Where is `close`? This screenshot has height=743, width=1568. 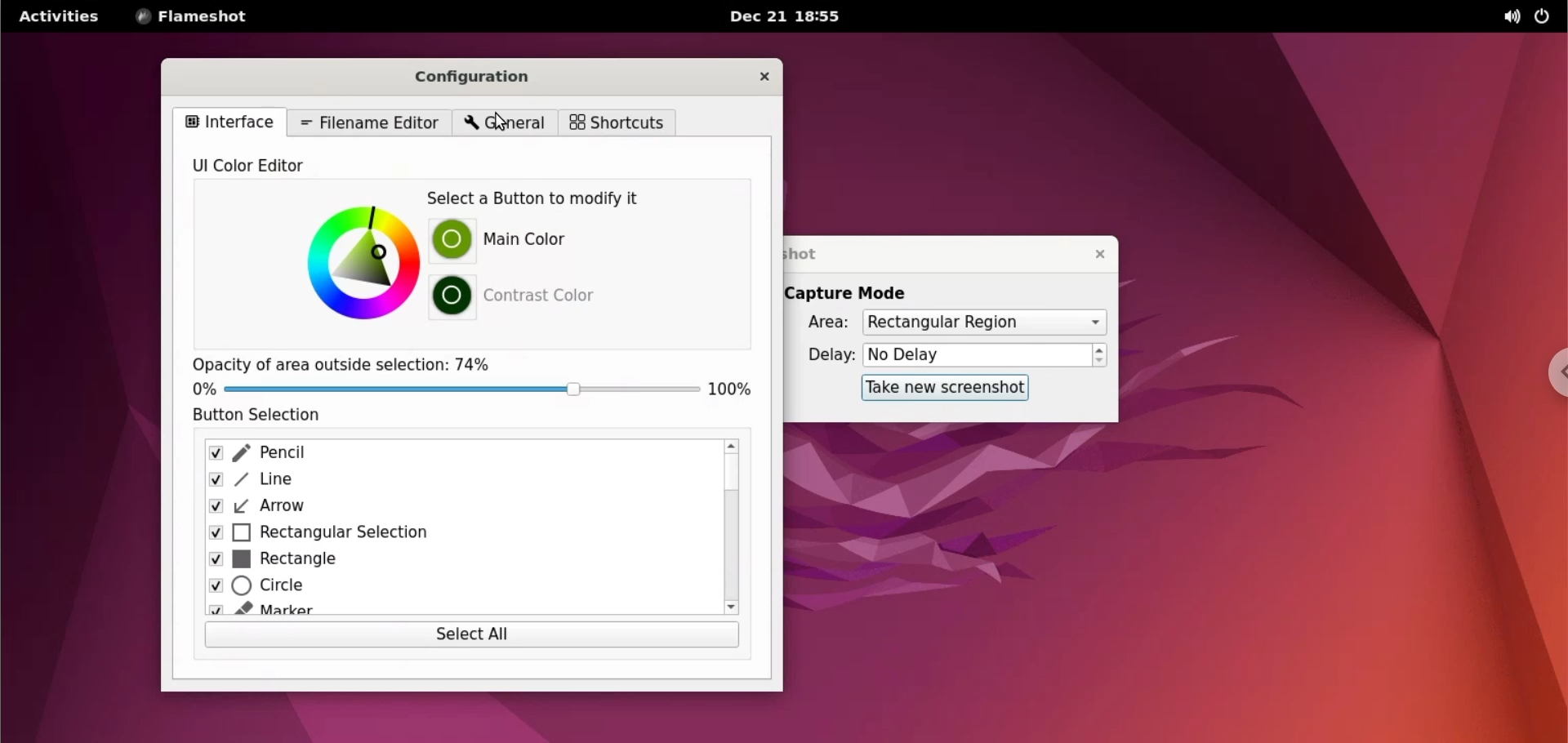
close is located at coordinates (1092, 254).